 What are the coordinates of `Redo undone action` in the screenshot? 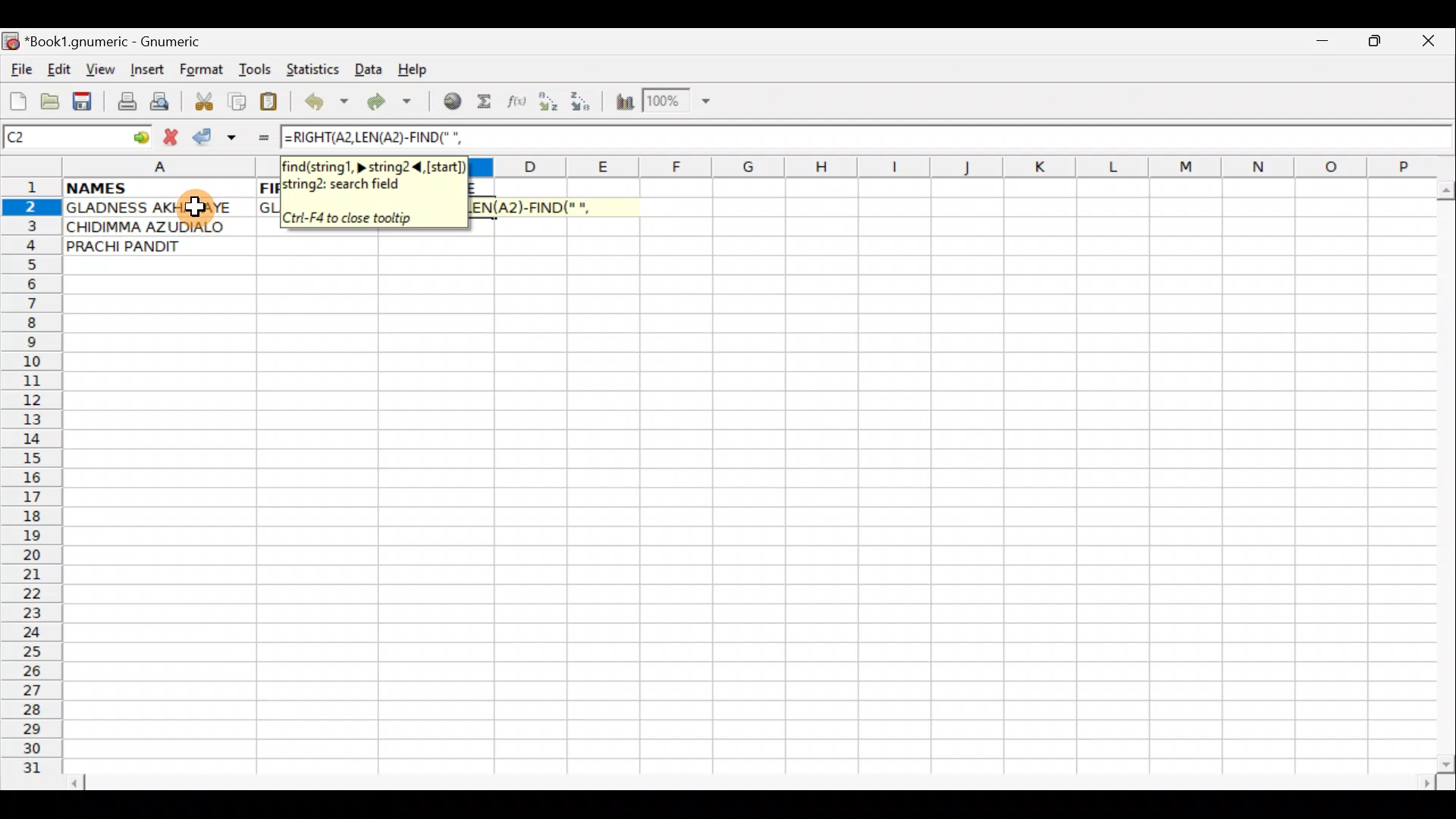 It's located at (393, 104).